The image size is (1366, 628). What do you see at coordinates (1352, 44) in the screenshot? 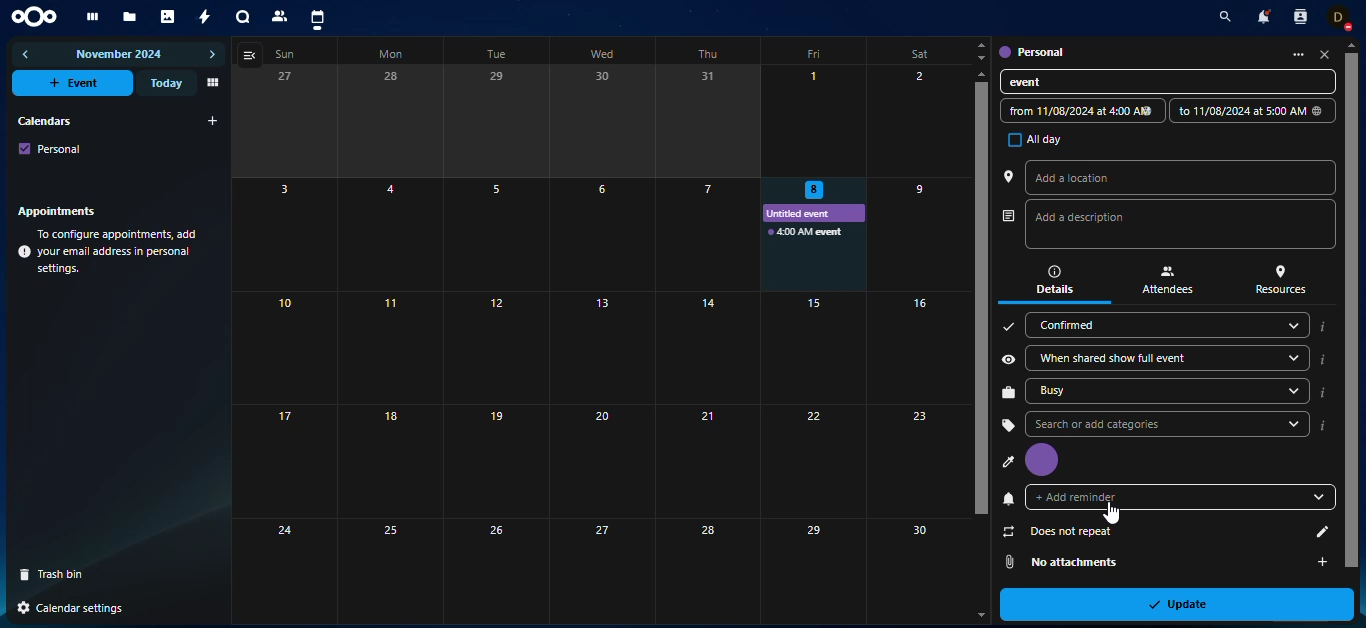
I see `Move up` at bounding box center [1352, 44].